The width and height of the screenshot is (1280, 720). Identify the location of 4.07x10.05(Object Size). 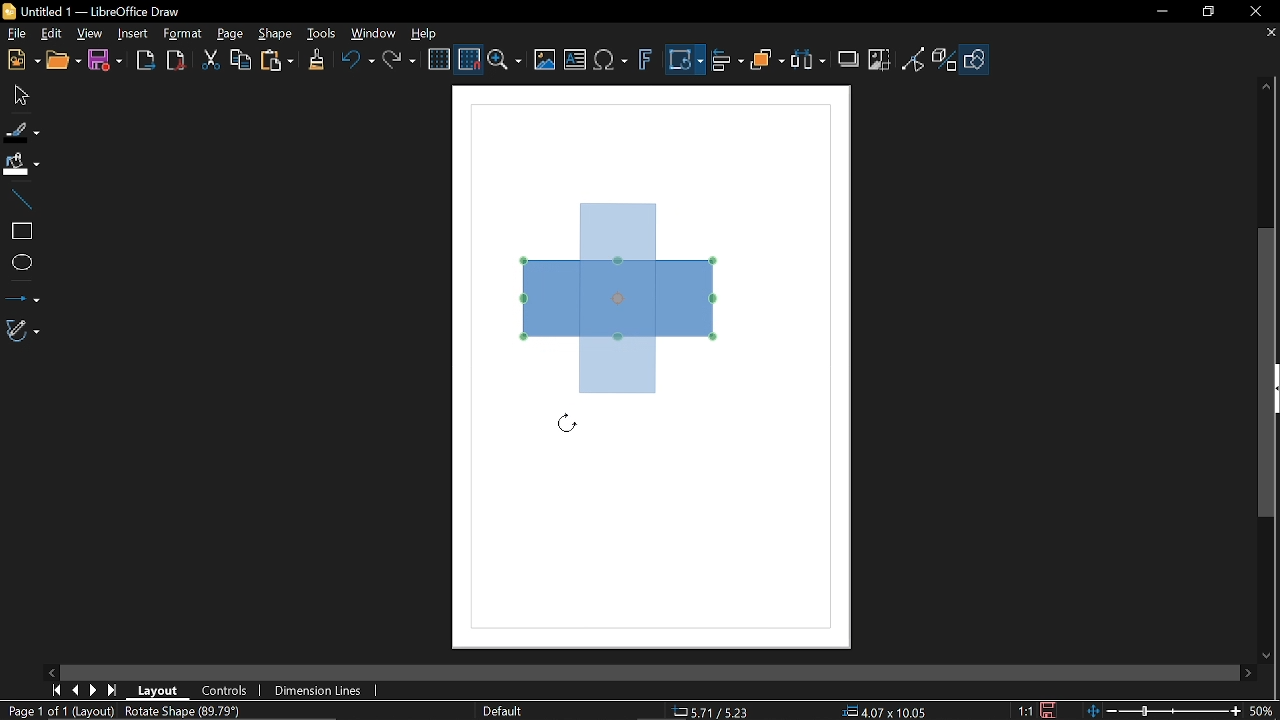
(885, 712).